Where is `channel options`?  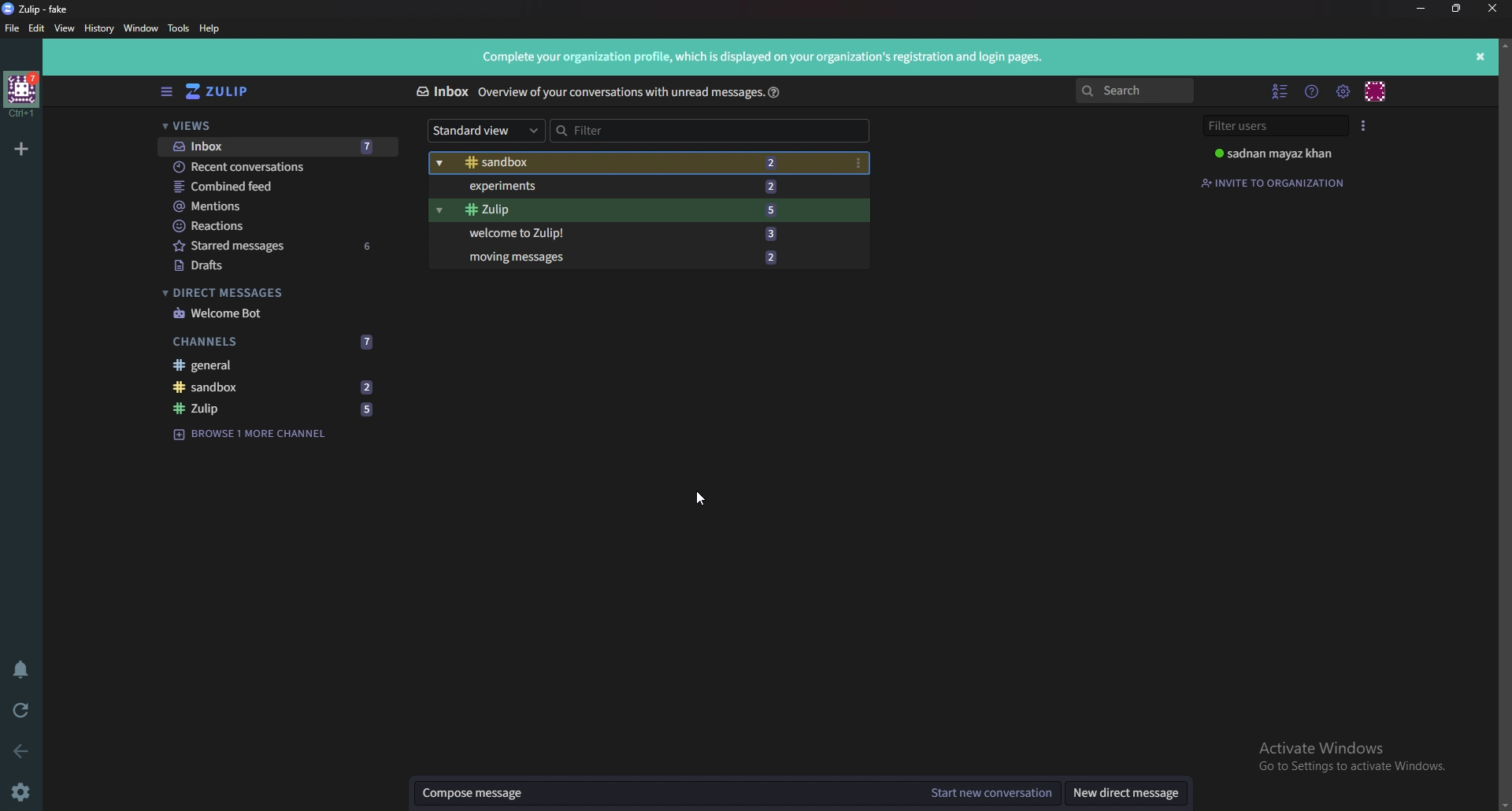
channel options is located at coordinates (860, 162).